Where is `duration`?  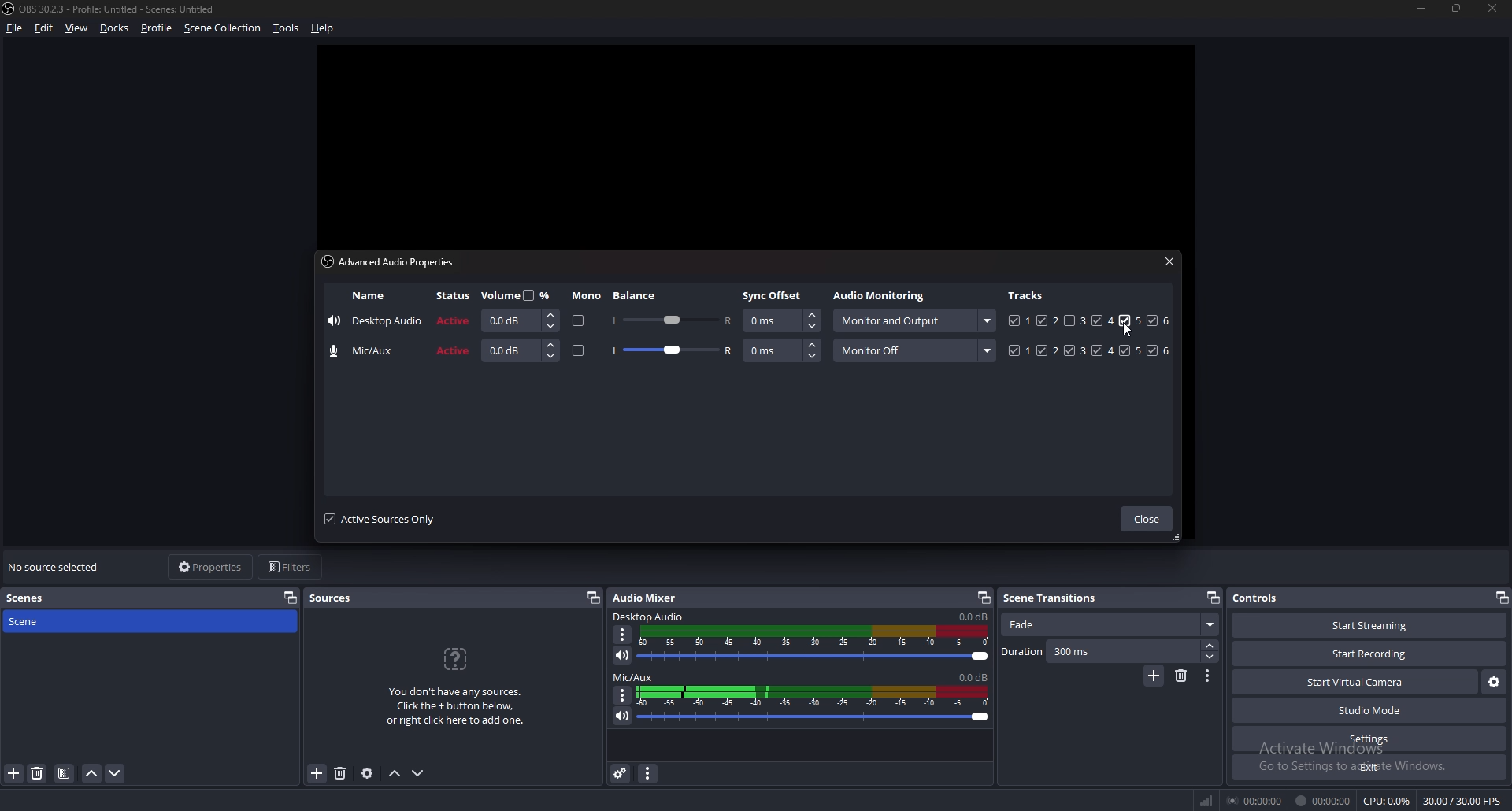 duration is located at coordinates (1099, 652).